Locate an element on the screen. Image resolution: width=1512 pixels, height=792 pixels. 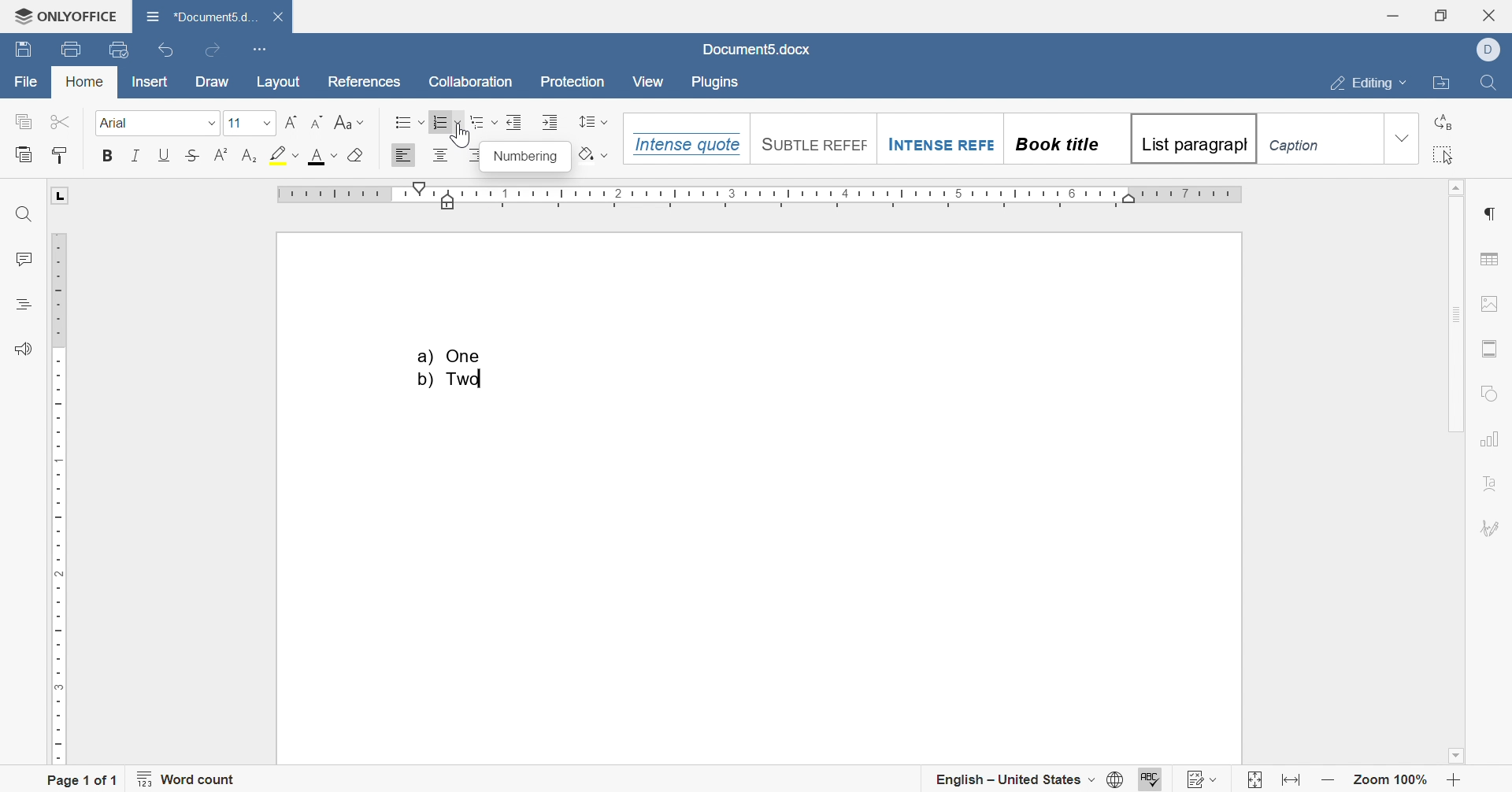
comments is located at coordinates (23, 257).